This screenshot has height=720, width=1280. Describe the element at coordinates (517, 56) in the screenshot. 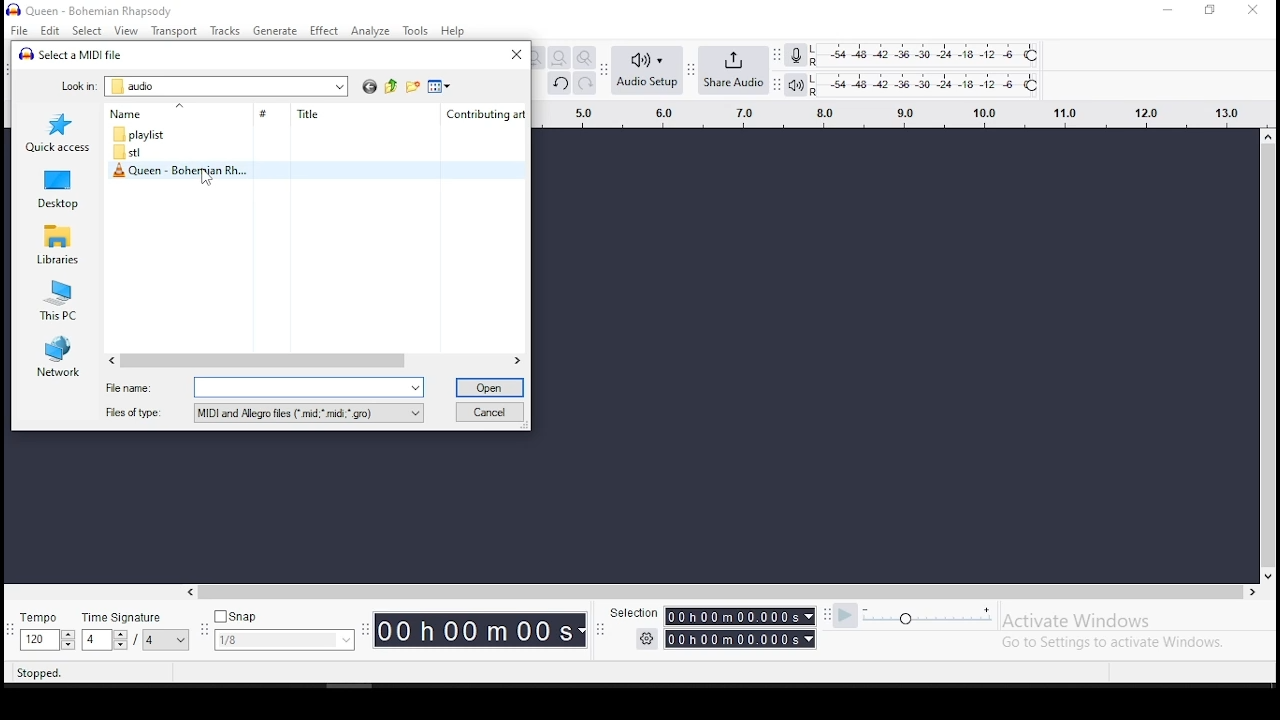

I see `close window` at that location.